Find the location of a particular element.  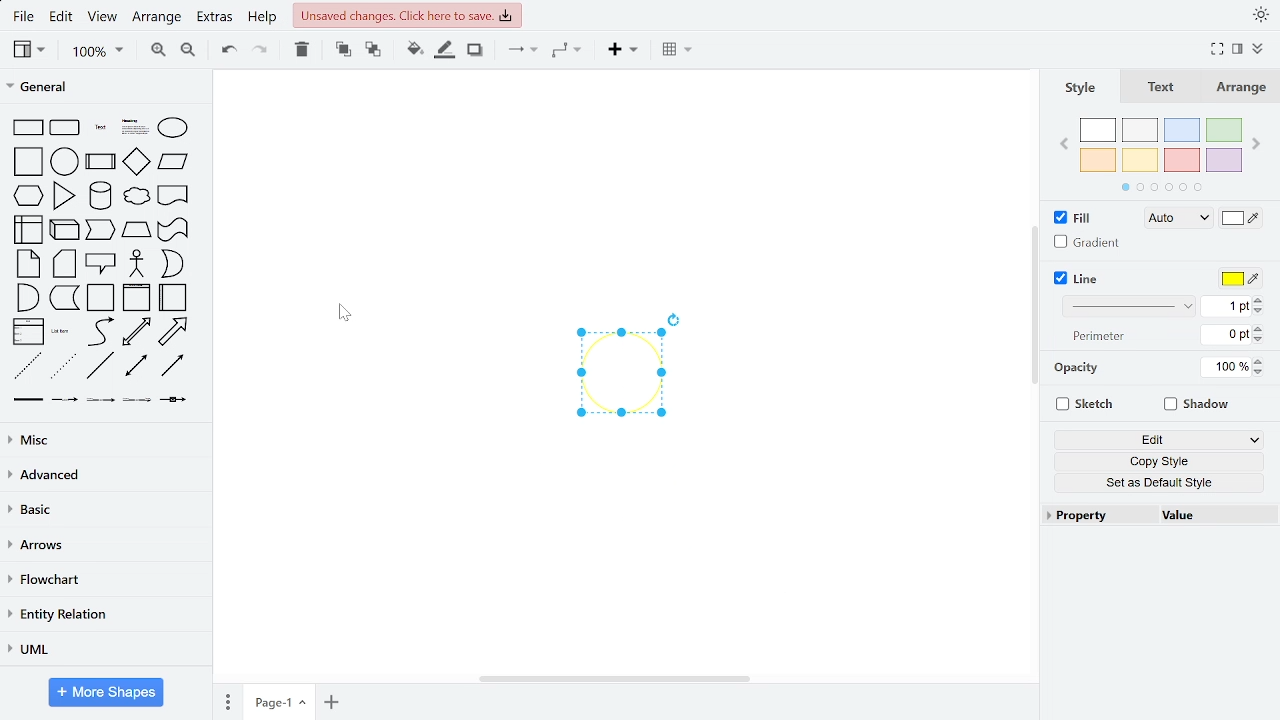

appearence is located at coordinates (1258, 16).